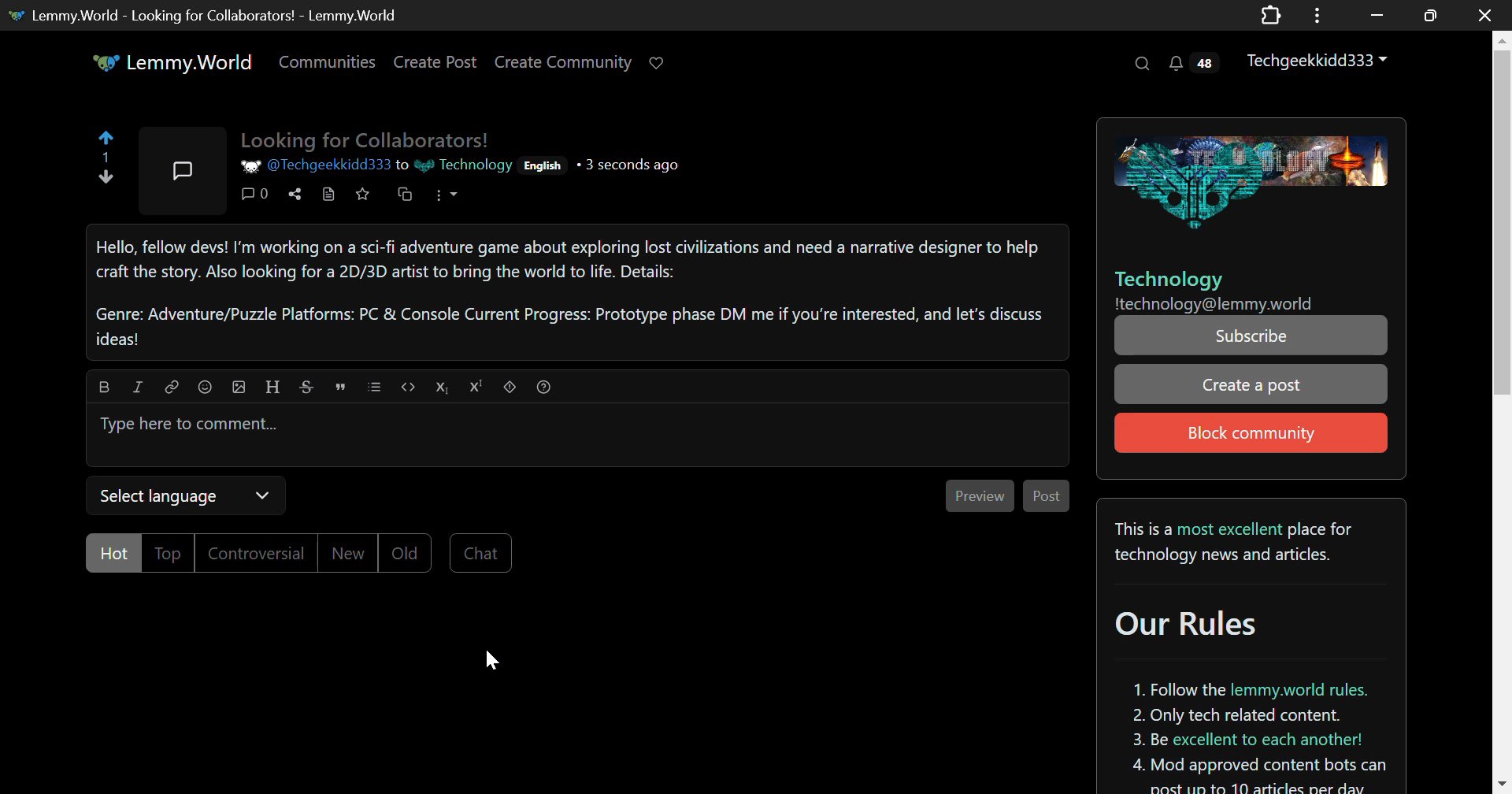  Describe the element at coordinates (459, 165) in the screenshot. I see `Technology` at that location.